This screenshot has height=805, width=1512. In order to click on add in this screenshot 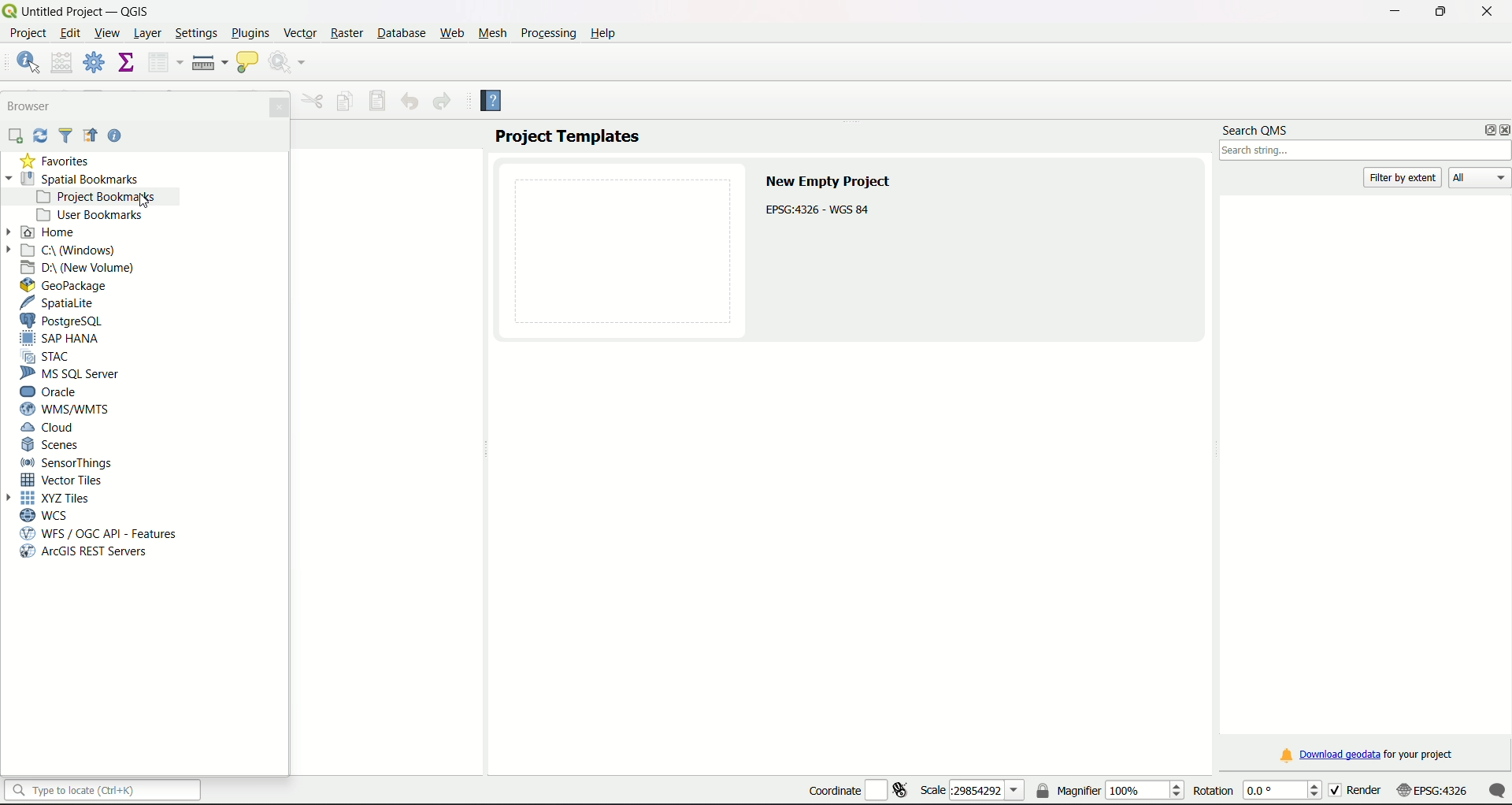, I will do `click(14, 136)`.